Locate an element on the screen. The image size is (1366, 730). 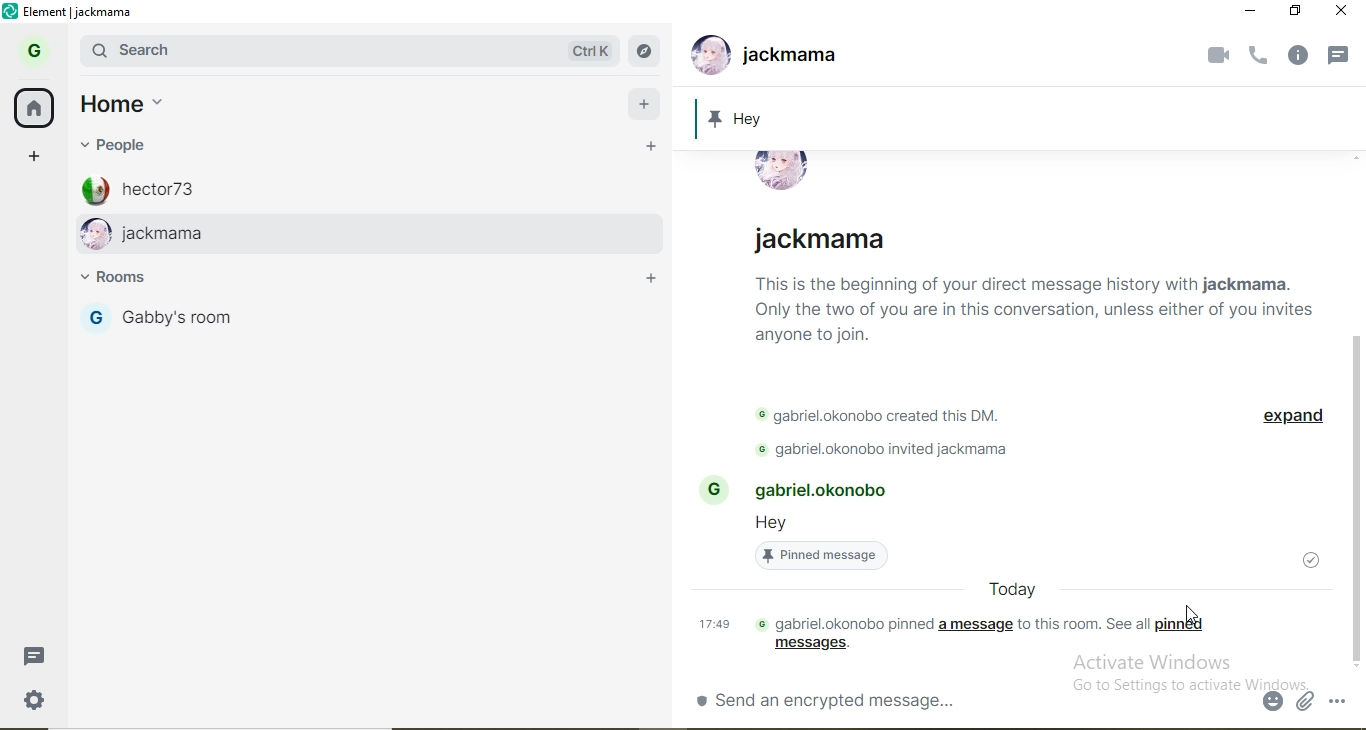
 is located at coordinates (781, 524).